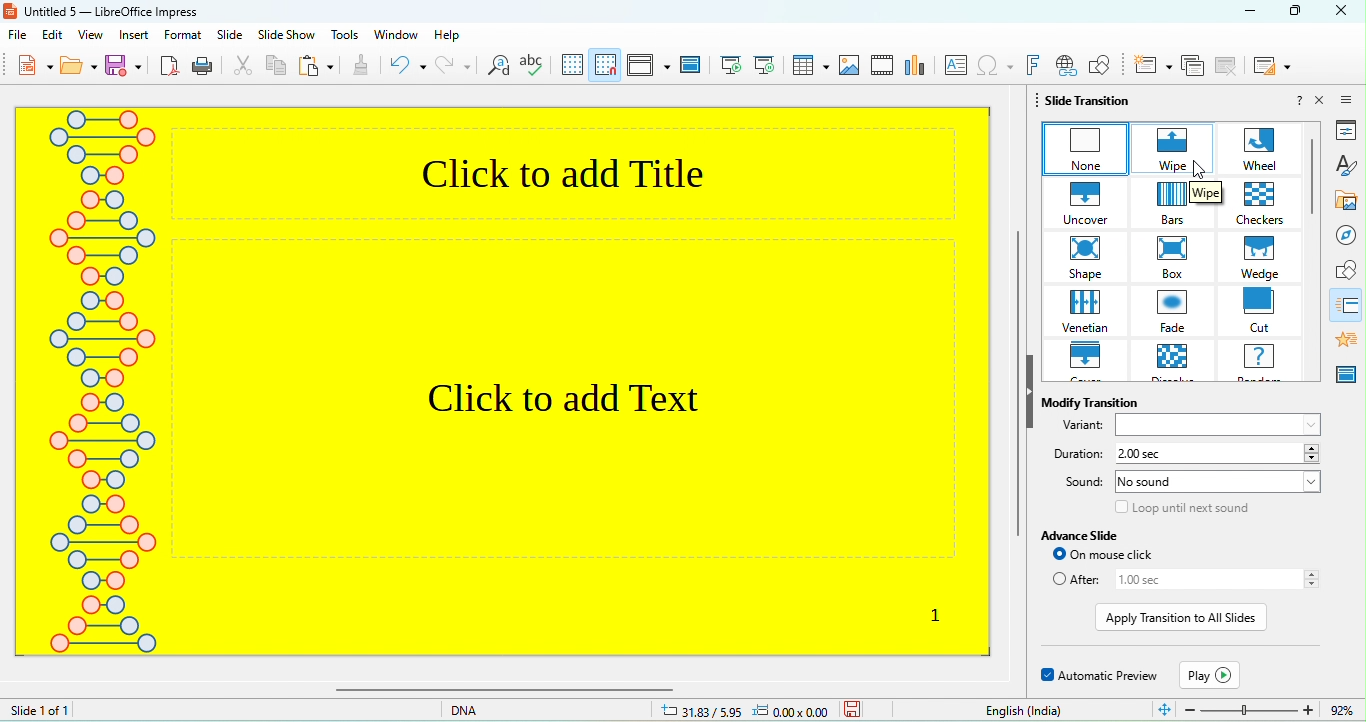 The width and height of the screenshot is (1366, 722). I want to click on close, so click(1320, 101).